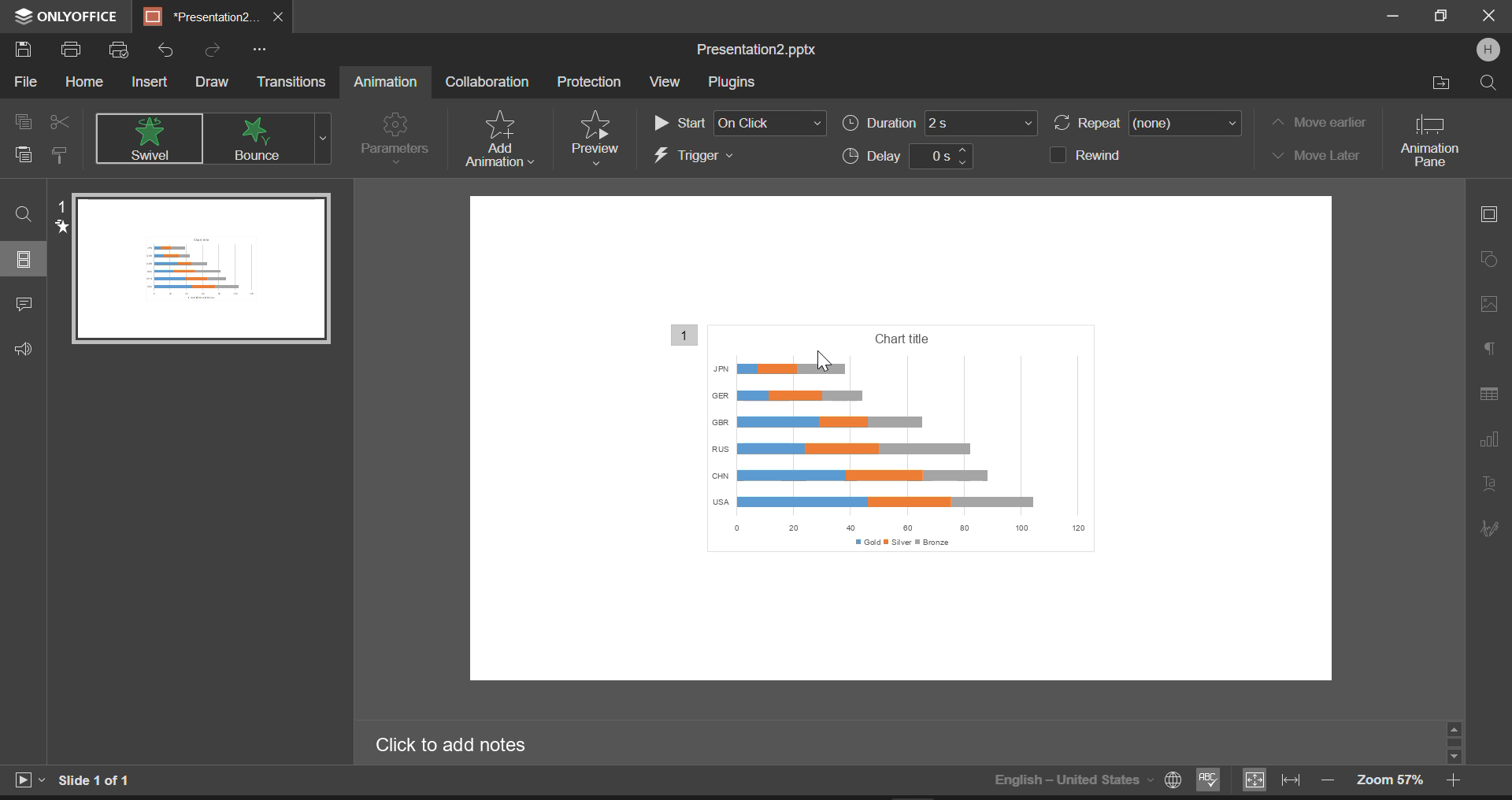 This screenshot has height=800, width=1512. I want to click on Scroll Bar, so click(1455, 742).